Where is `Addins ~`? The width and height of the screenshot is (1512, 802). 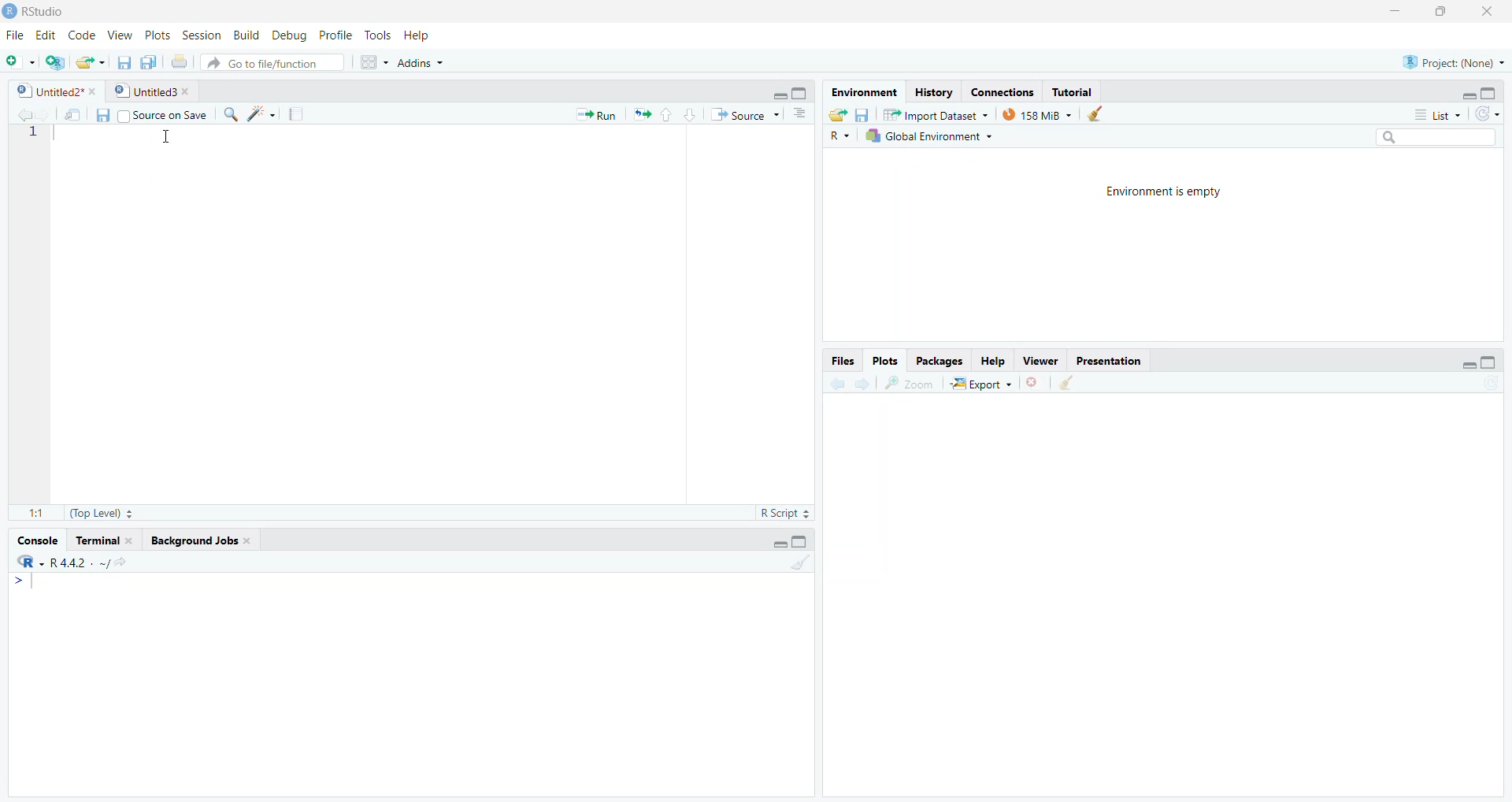
Addins ~ is located at coordinates (423, 66).